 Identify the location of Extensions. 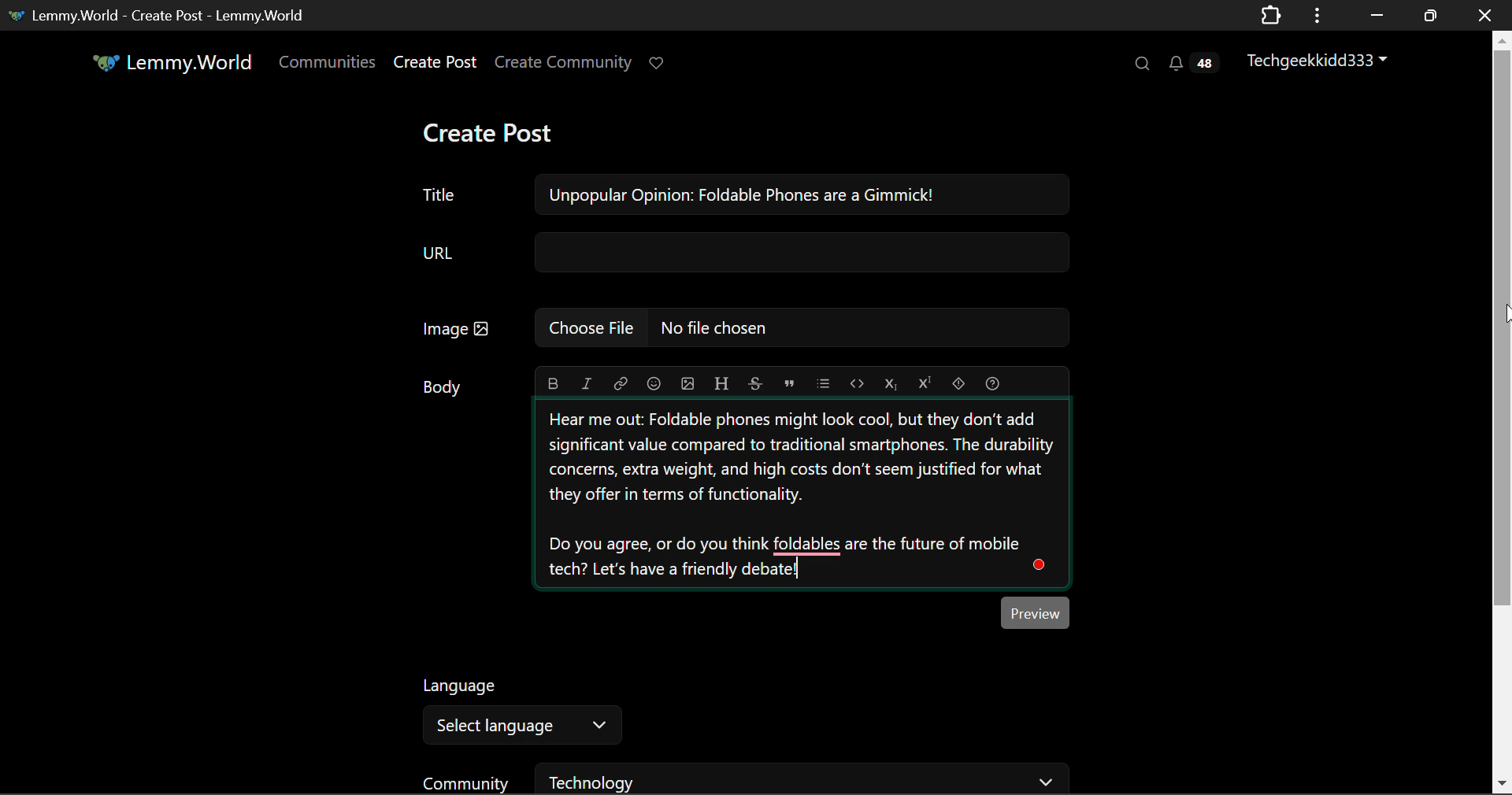
(1270, 14).